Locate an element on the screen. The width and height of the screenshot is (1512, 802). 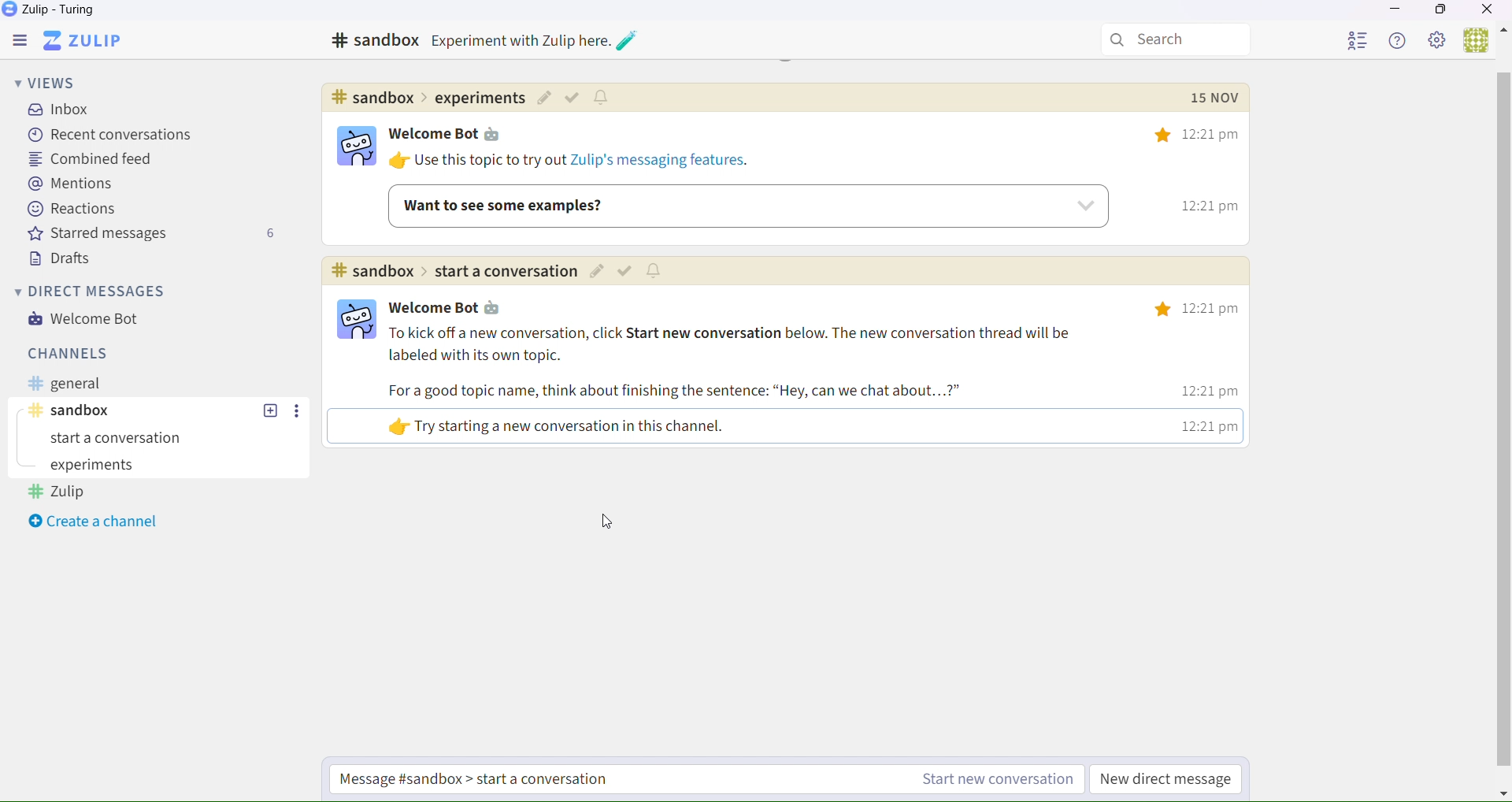
Start a new conversation is located at coordinates (991, 782).